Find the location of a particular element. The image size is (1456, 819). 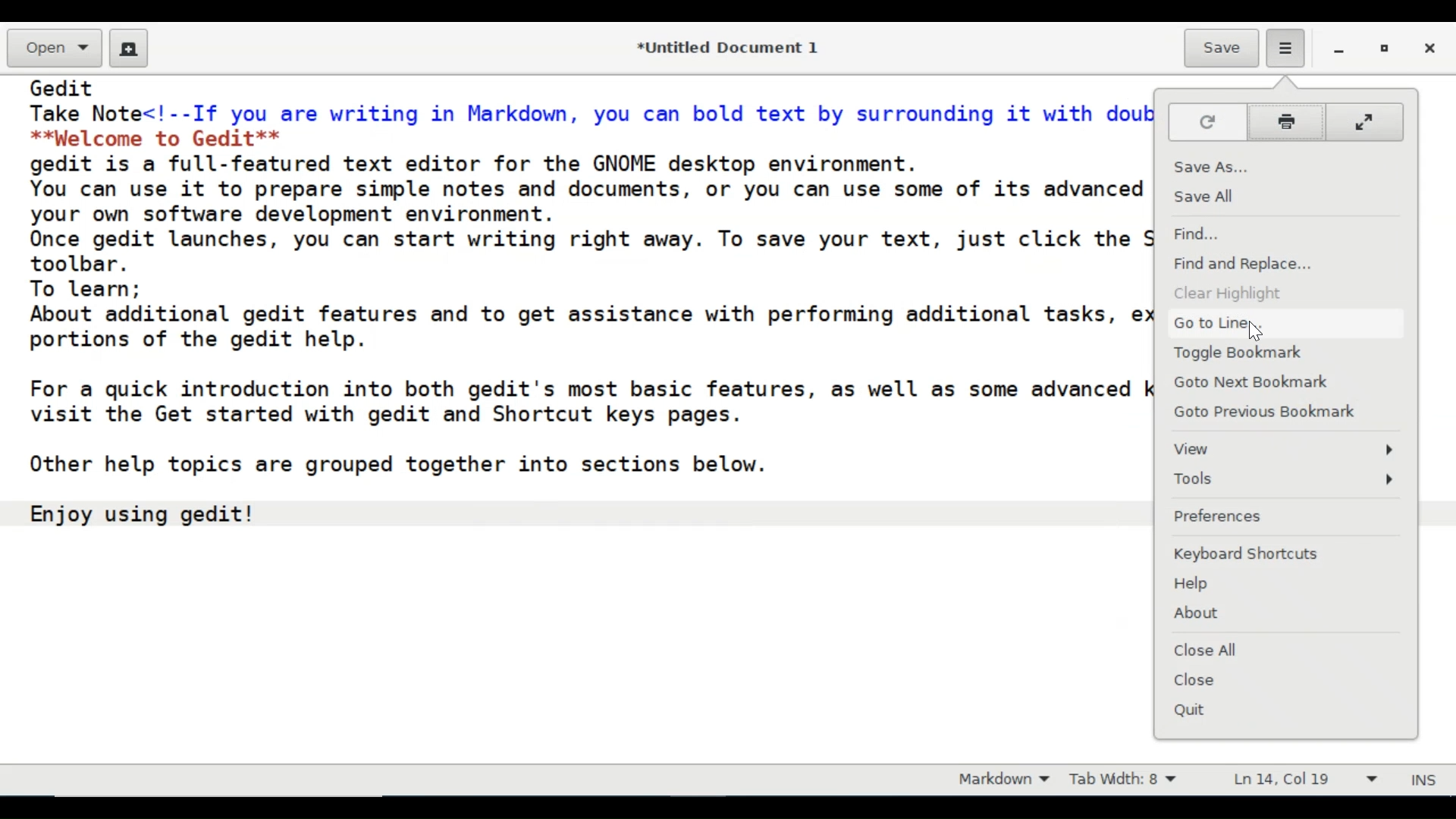

Find and Replace is located at coordinates (1247, 266).